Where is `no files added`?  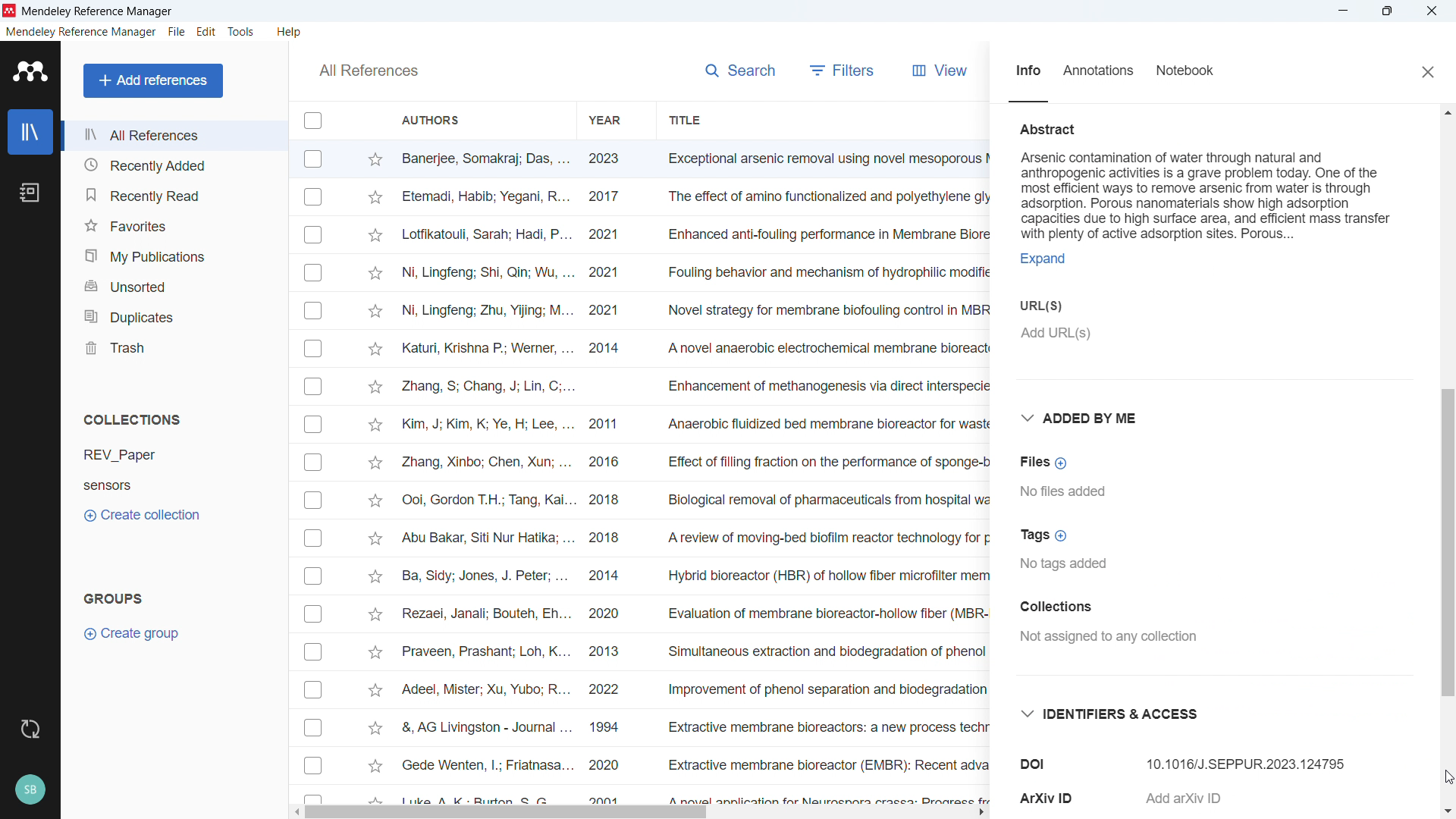
no files added is located at coordinates (1078, 492).